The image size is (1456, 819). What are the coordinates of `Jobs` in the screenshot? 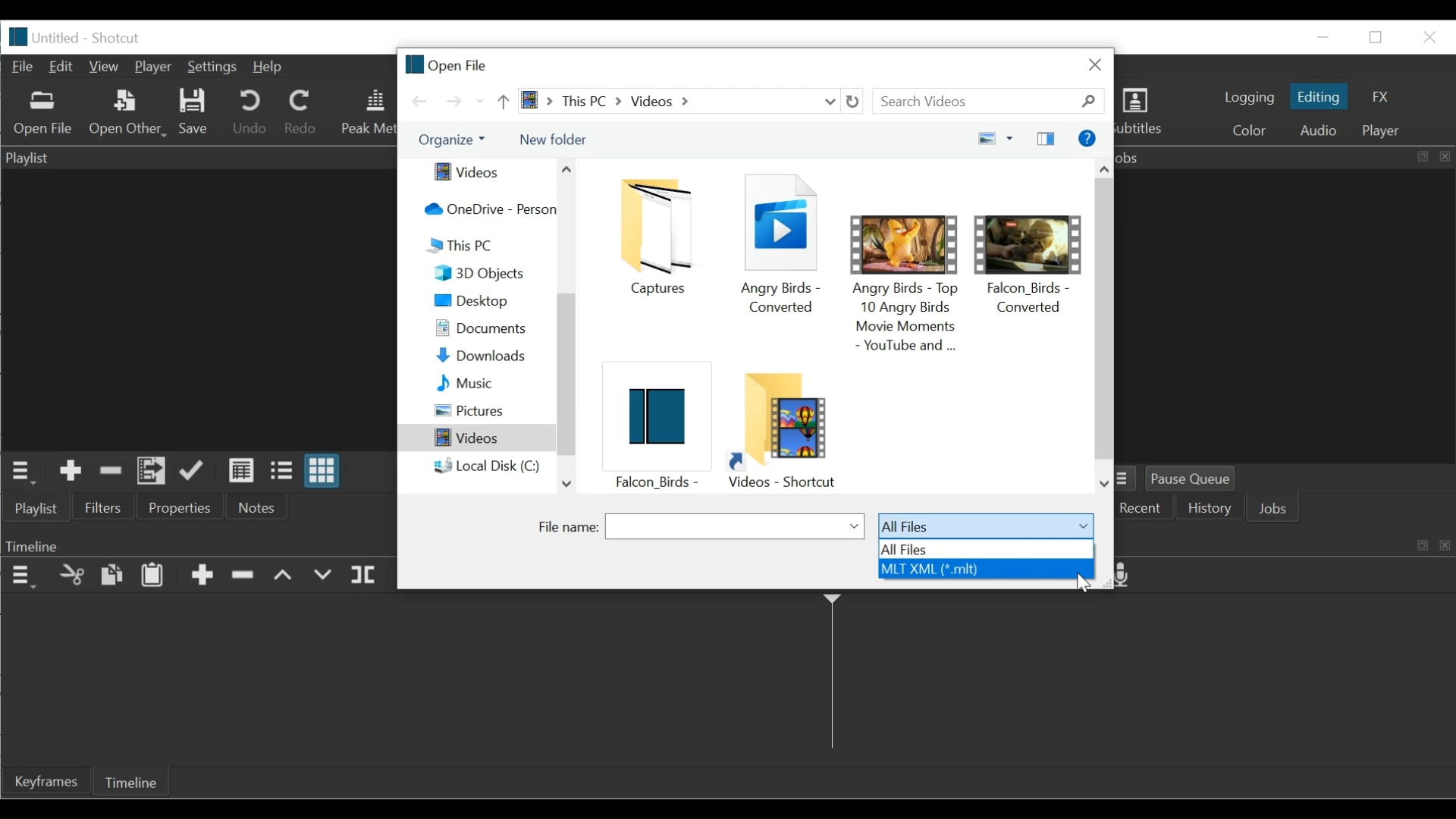 It's located at (1277, 510).